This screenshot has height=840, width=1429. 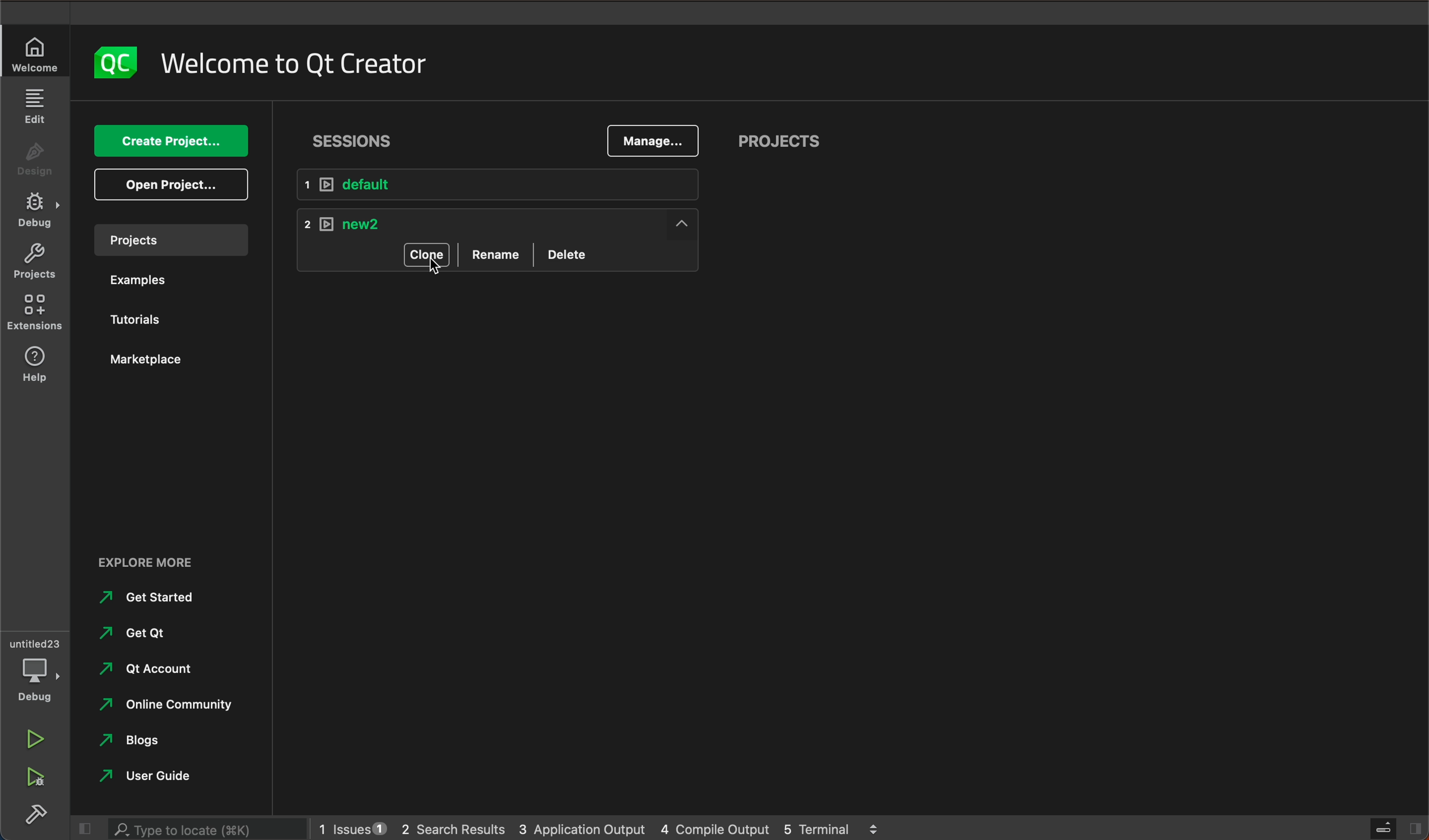 I want to click on run debug, so click(x=33, y=774).